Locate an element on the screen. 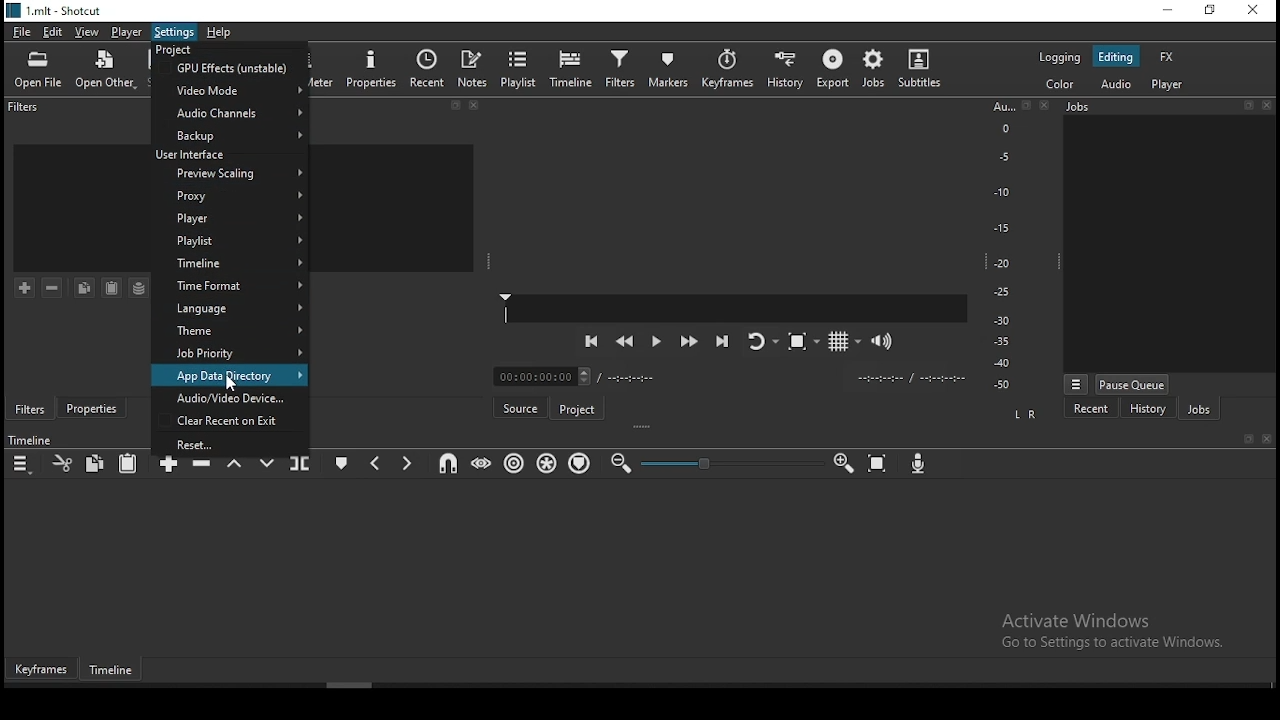 Image resolution: width=1280 pixels, height=720 pixels. Jobs is located at coordinates (1124, 110).